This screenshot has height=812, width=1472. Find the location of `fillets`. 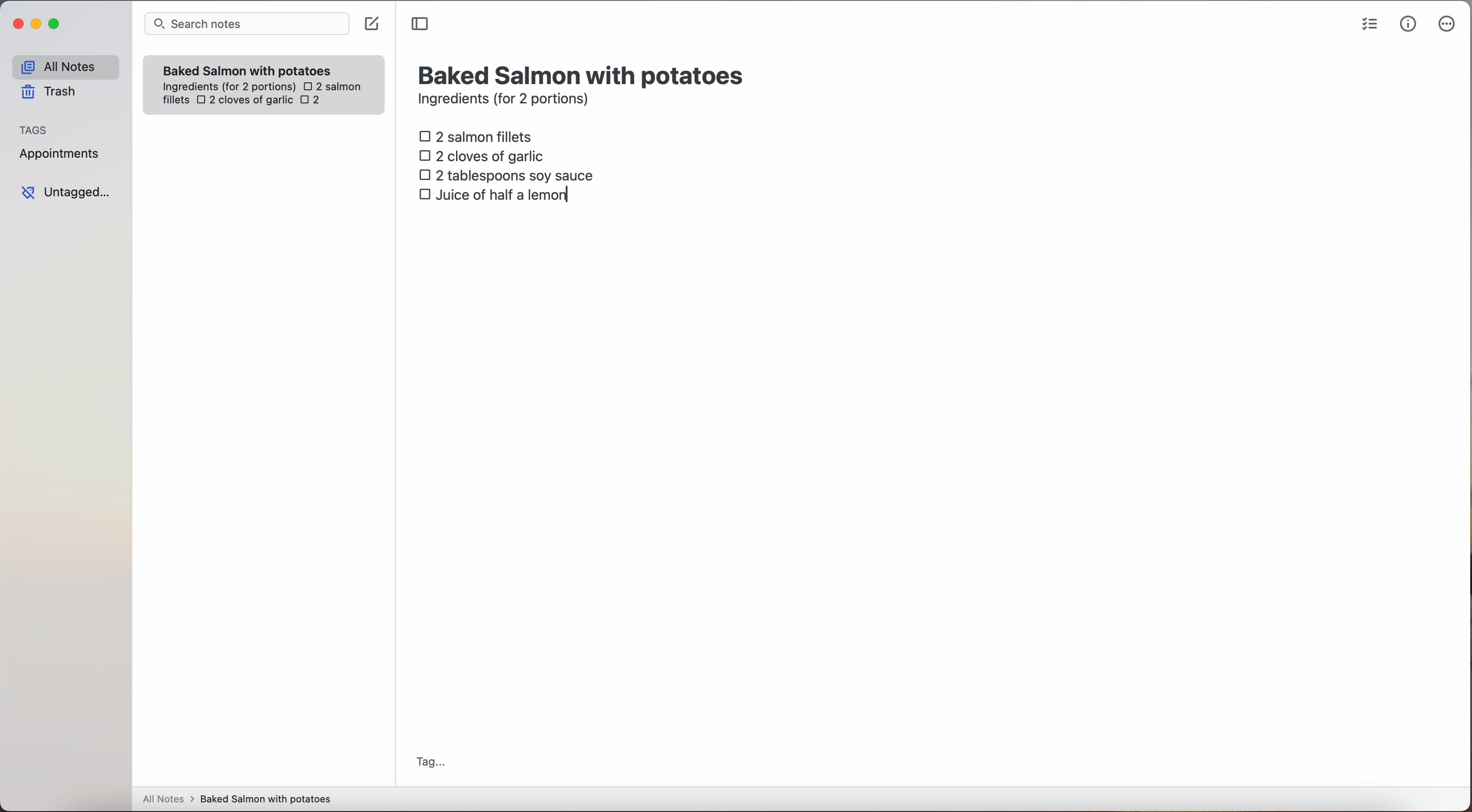

fillets is located at coordinates (177, 101).